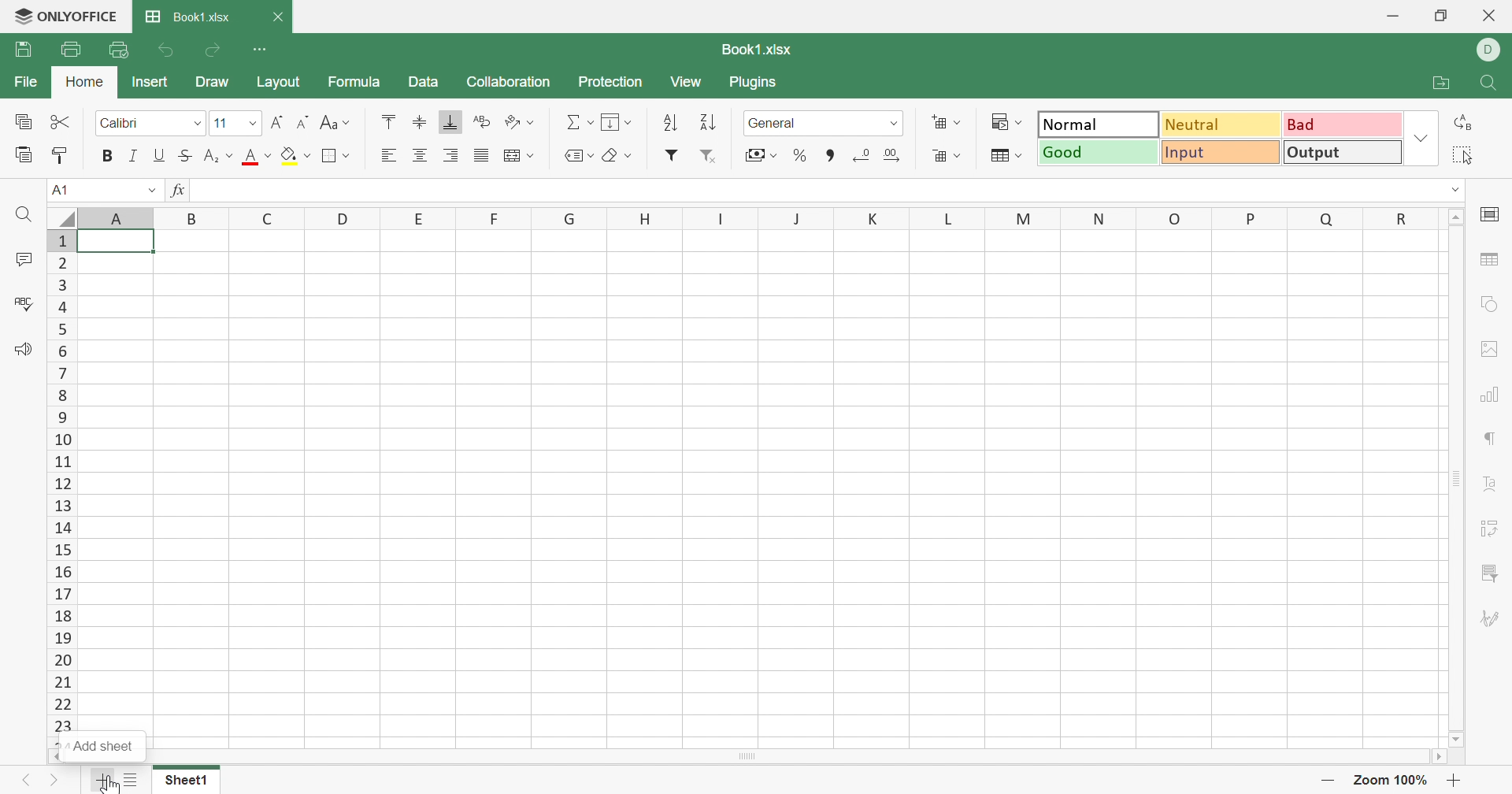 The image size is (1512, 794). I want to click on D, so click(1487, 52).